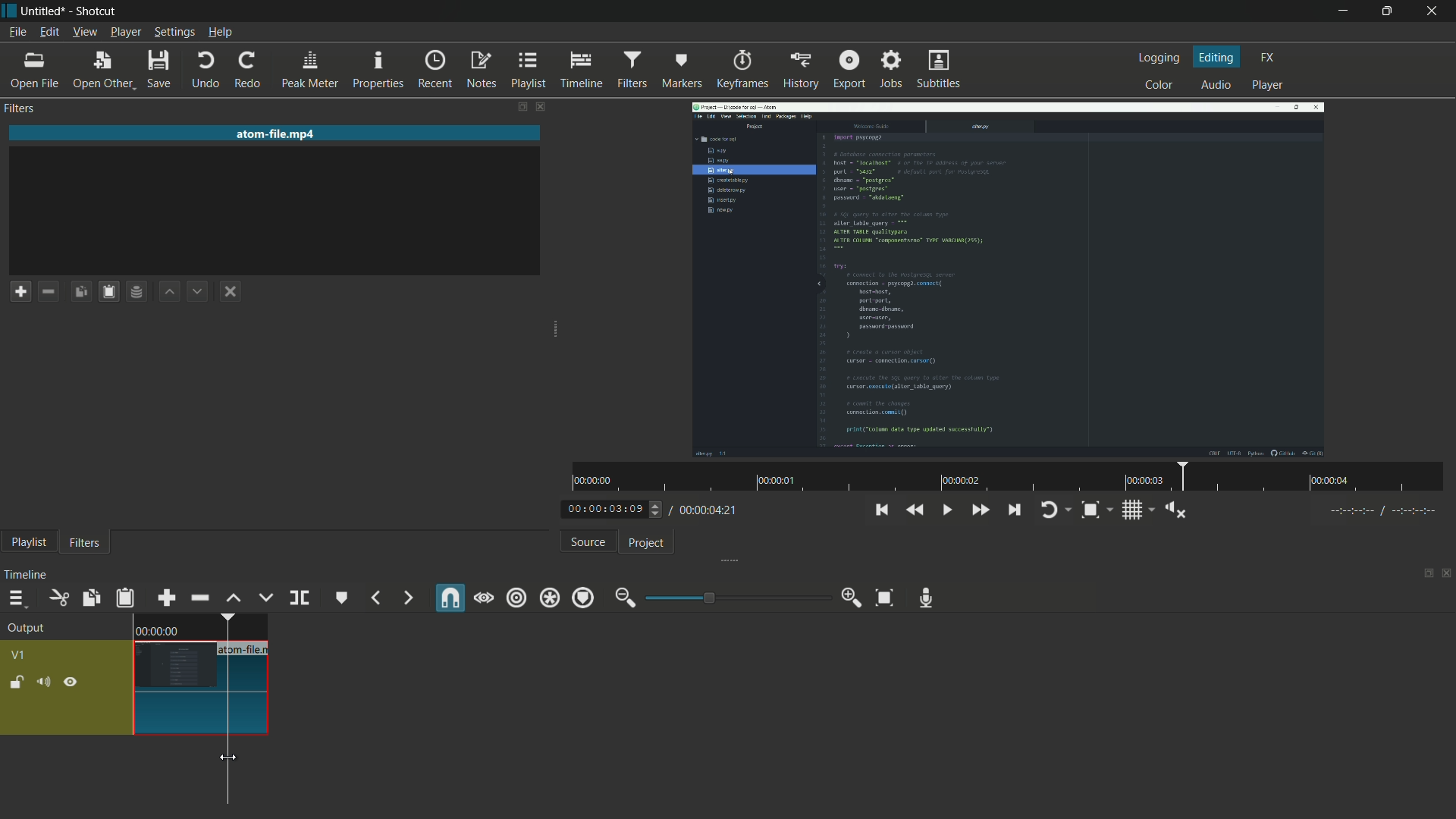 Image resolution: width=1456 pixels, height=819 pixels. What do you see at coordinates (28, 628) in the screenshot?
I see `output` at bounding box center [28, 628].